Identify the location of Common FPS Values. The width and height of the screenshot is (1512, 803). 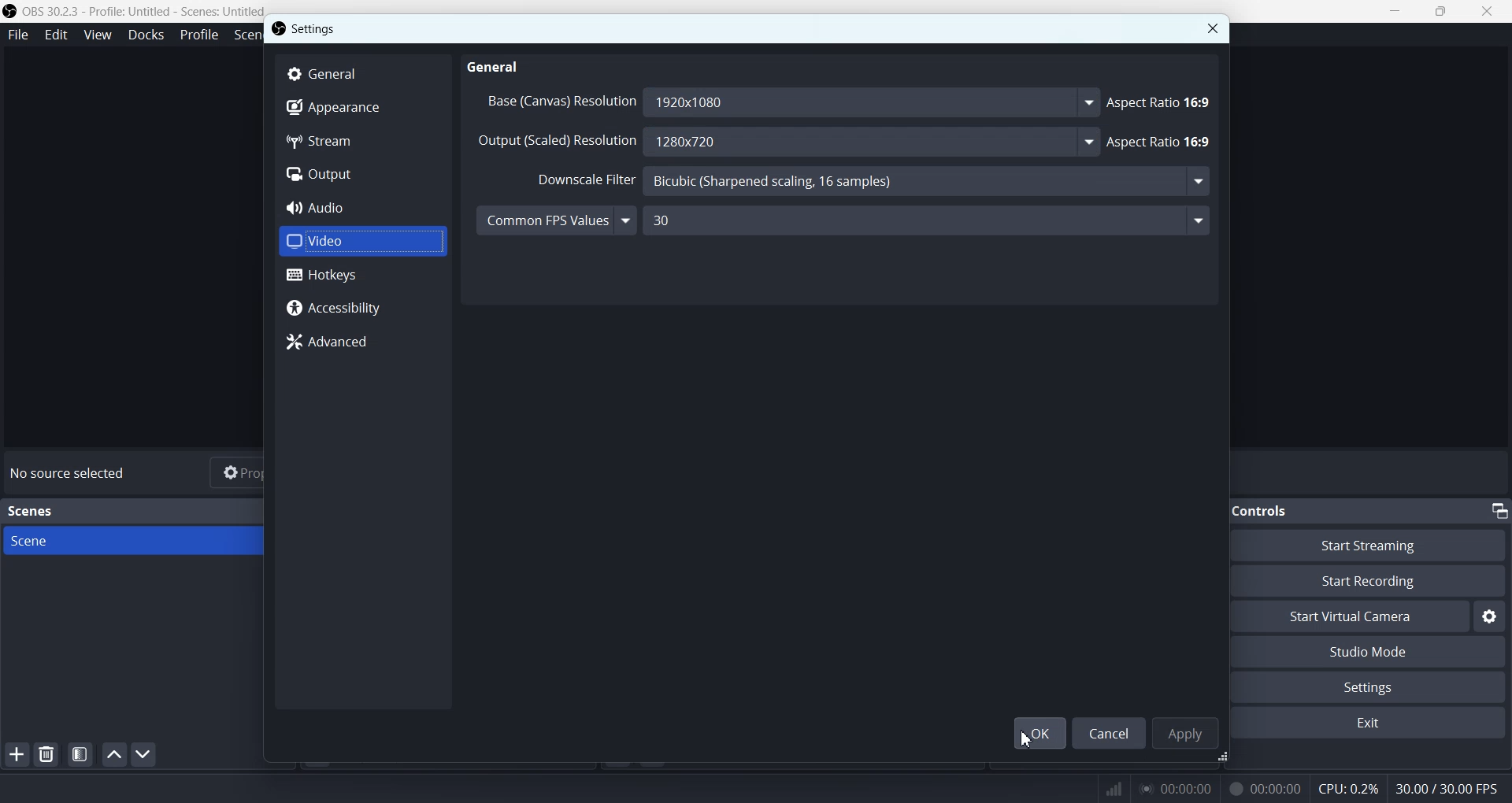
(556, 219).